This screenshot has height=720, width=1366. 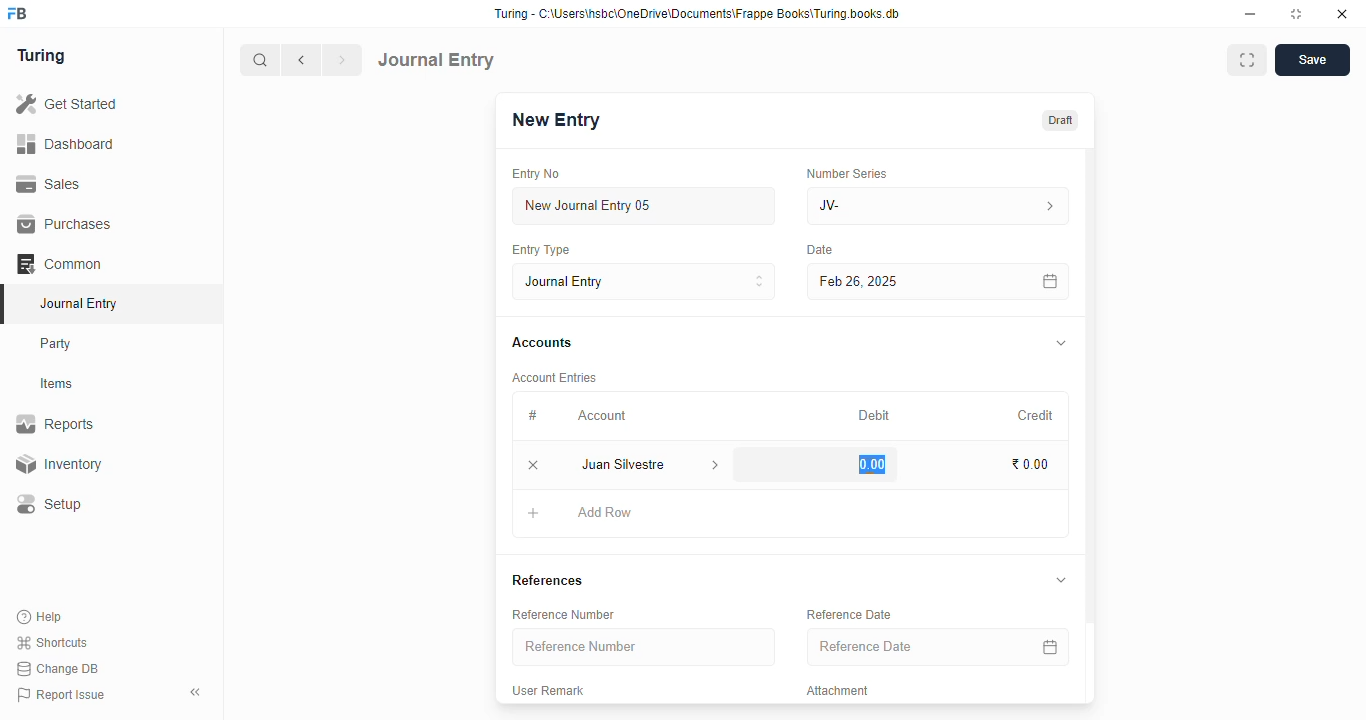 I want to click on JV-, so click(x=939, y=206).